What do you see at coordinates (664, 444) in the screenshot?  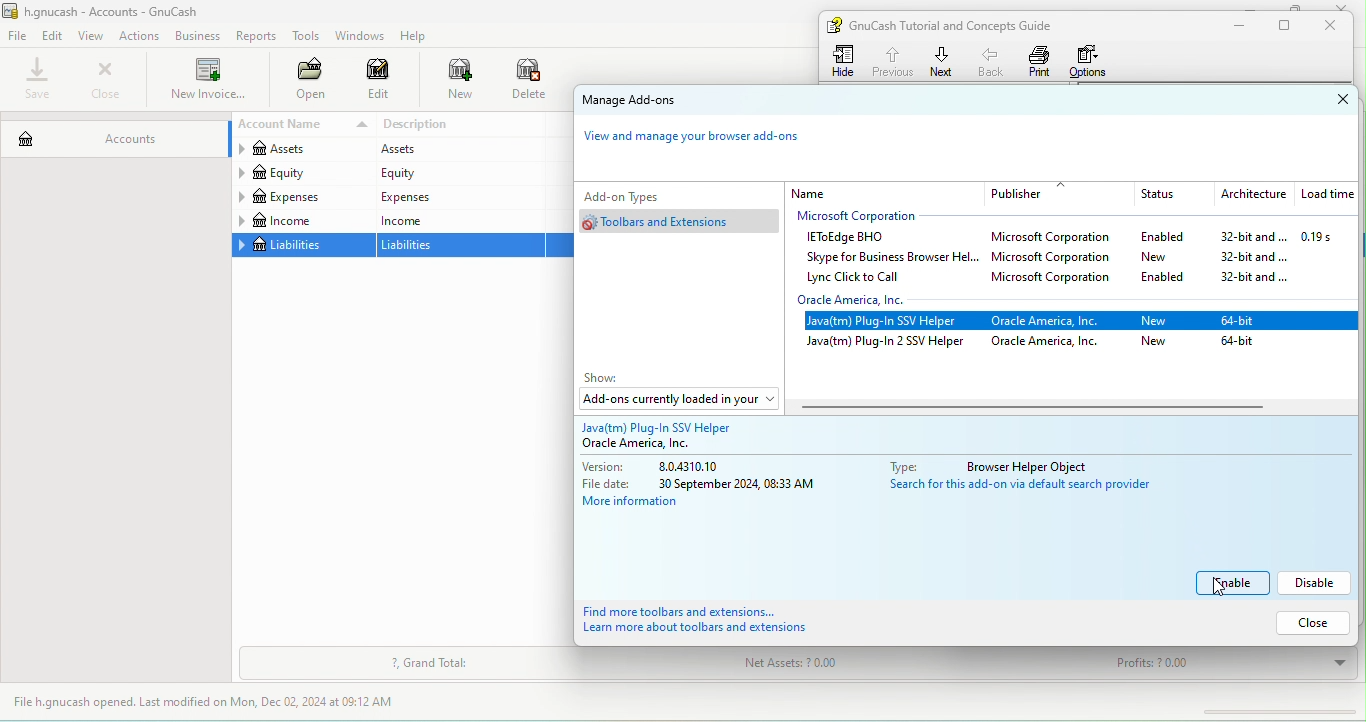 I see `oracle america lnc` at bounding box center [664, 444].